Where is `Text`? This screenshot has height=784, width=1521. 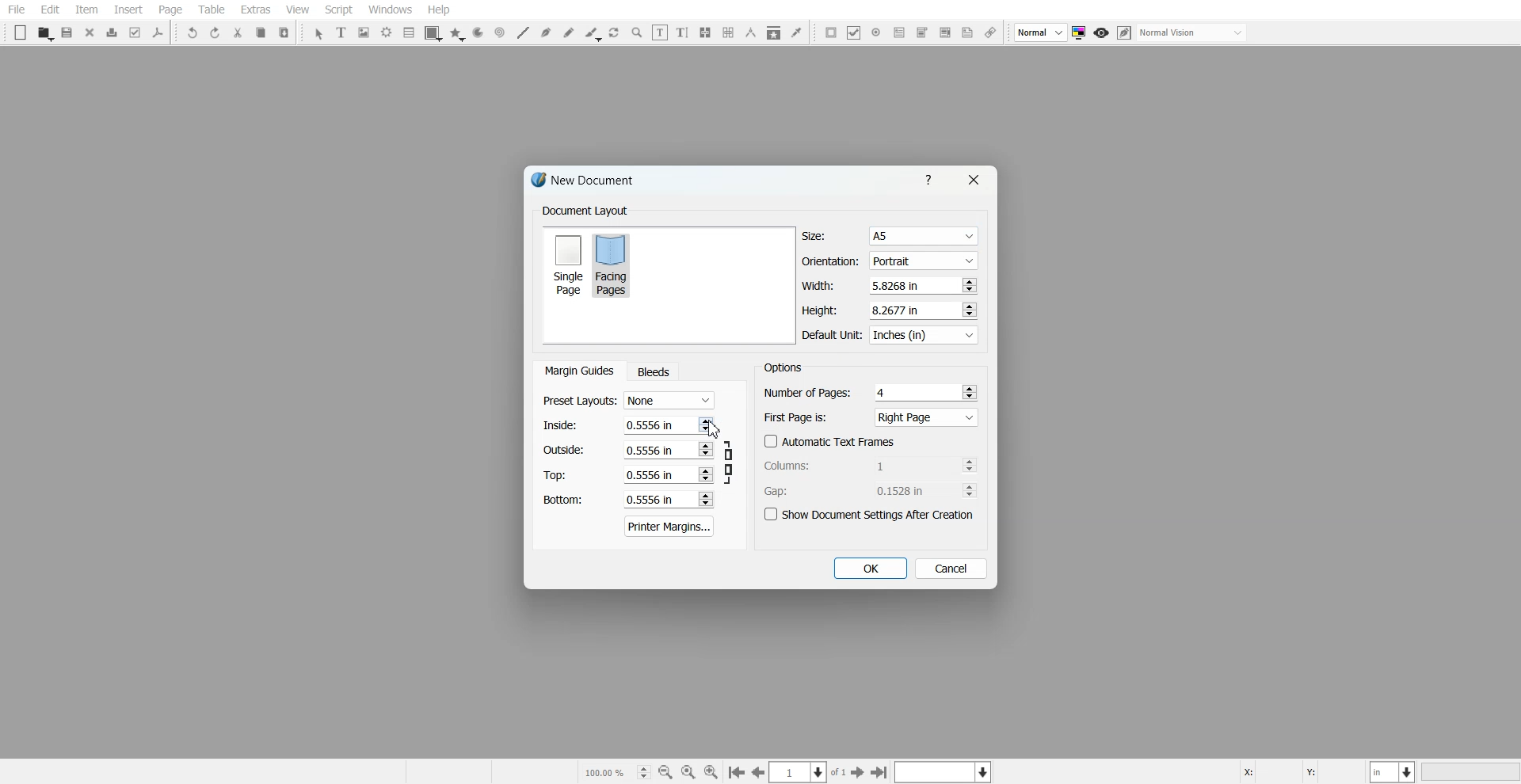
Text is located at coordinates (783, 367).